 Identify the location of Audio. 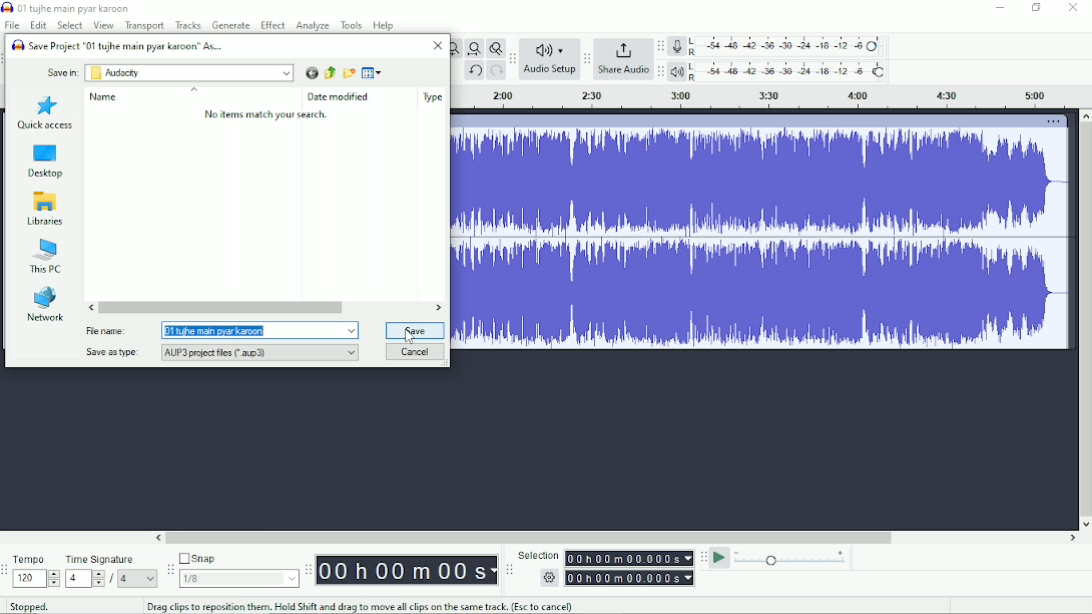
(760, 240).